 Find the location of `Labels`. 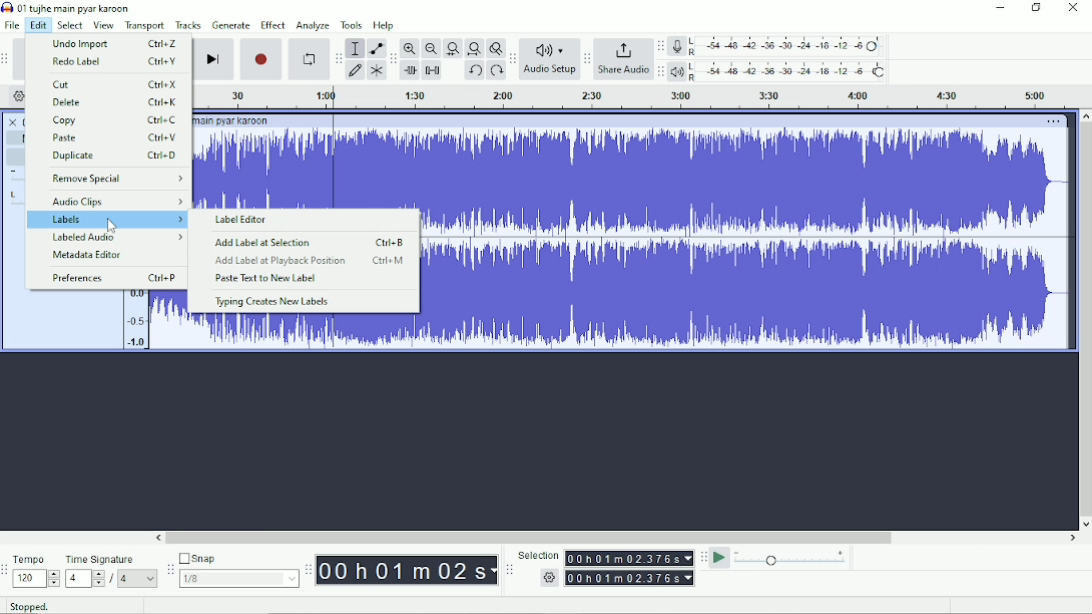

Labels is located at coordinates (108, 219).